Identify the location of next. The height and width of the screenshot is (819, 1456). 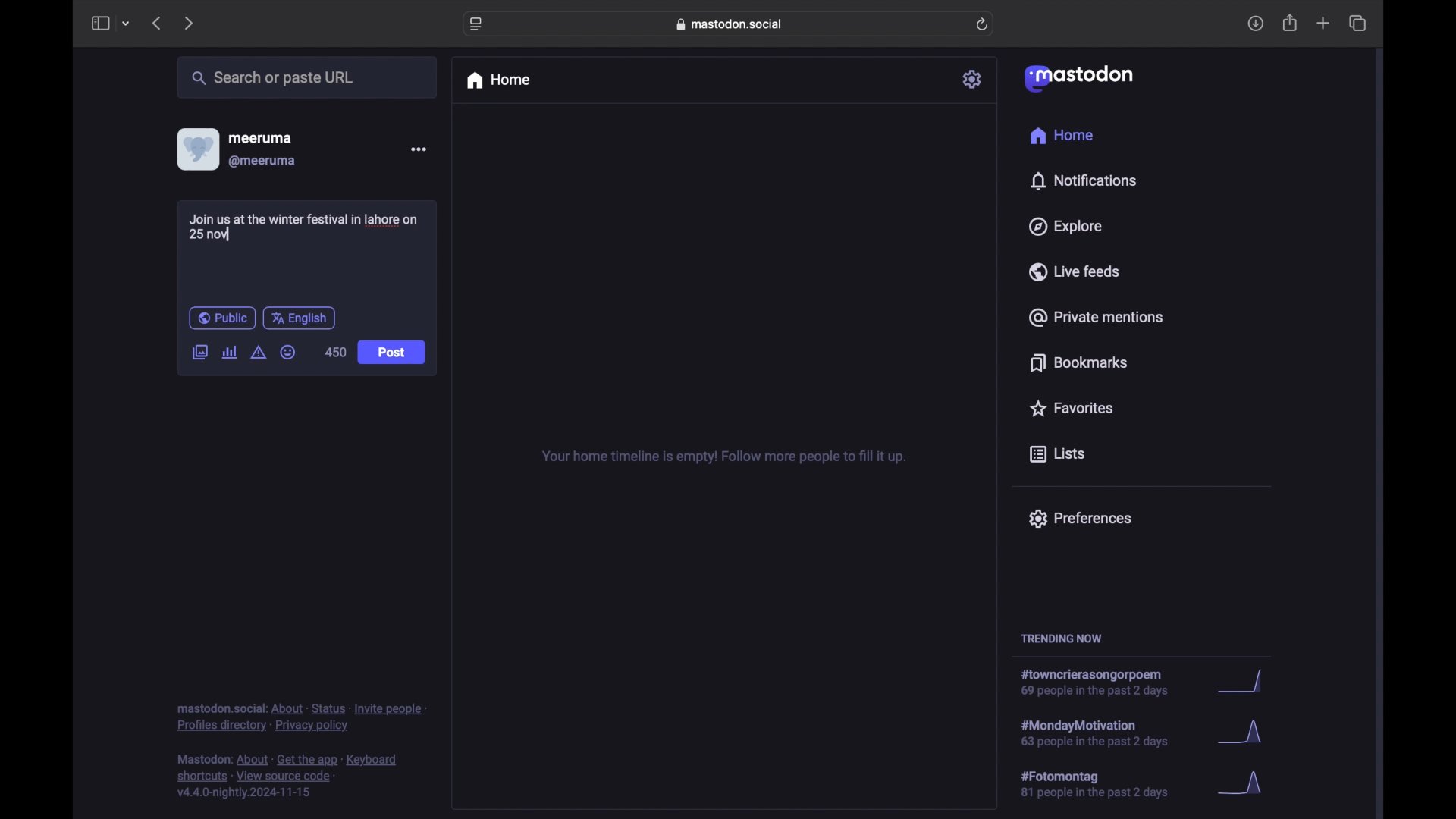
(190, 23).